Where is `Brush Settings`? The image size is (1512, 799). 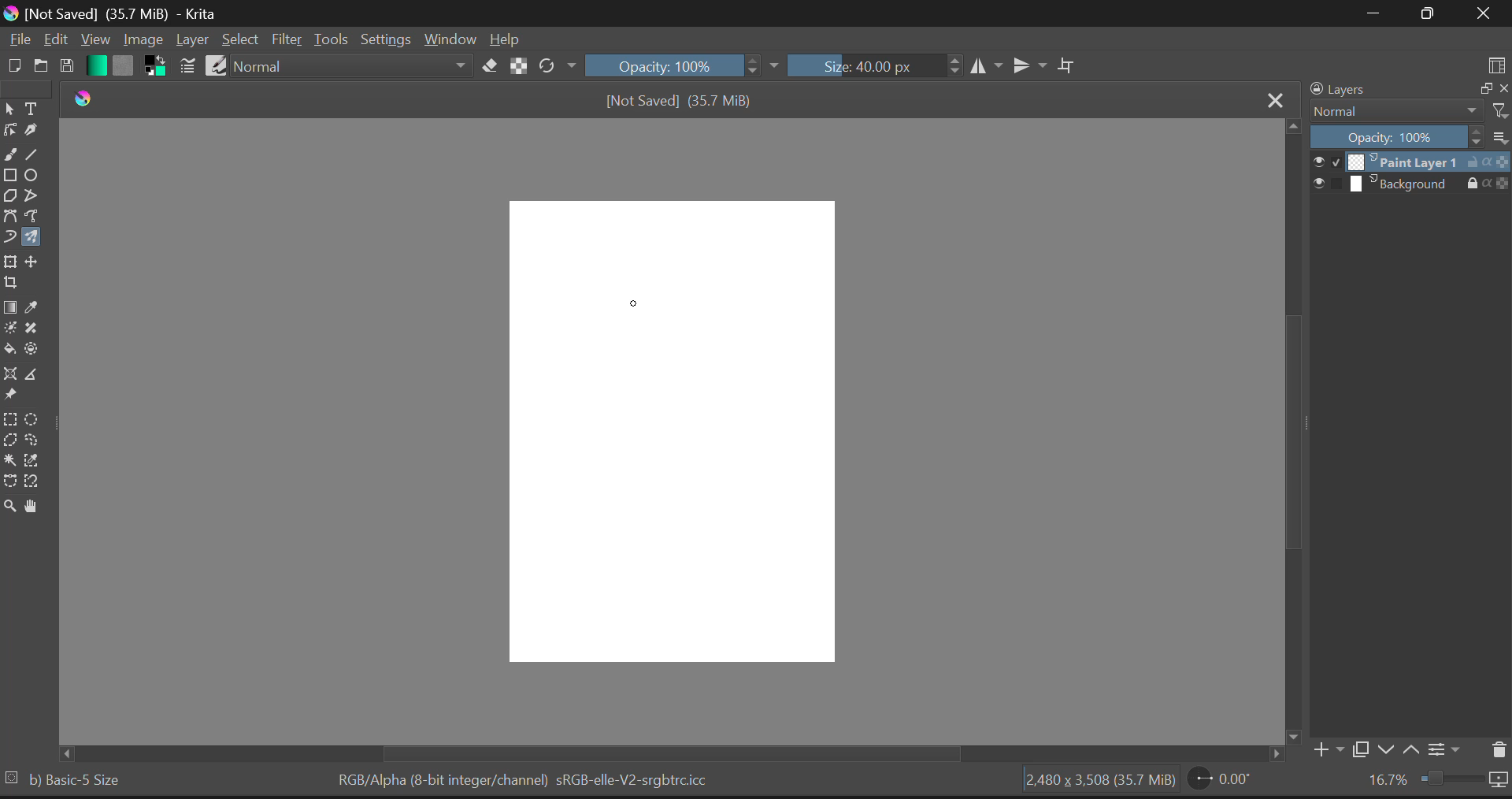
Brush Settings is located at coordinates (187, 65).